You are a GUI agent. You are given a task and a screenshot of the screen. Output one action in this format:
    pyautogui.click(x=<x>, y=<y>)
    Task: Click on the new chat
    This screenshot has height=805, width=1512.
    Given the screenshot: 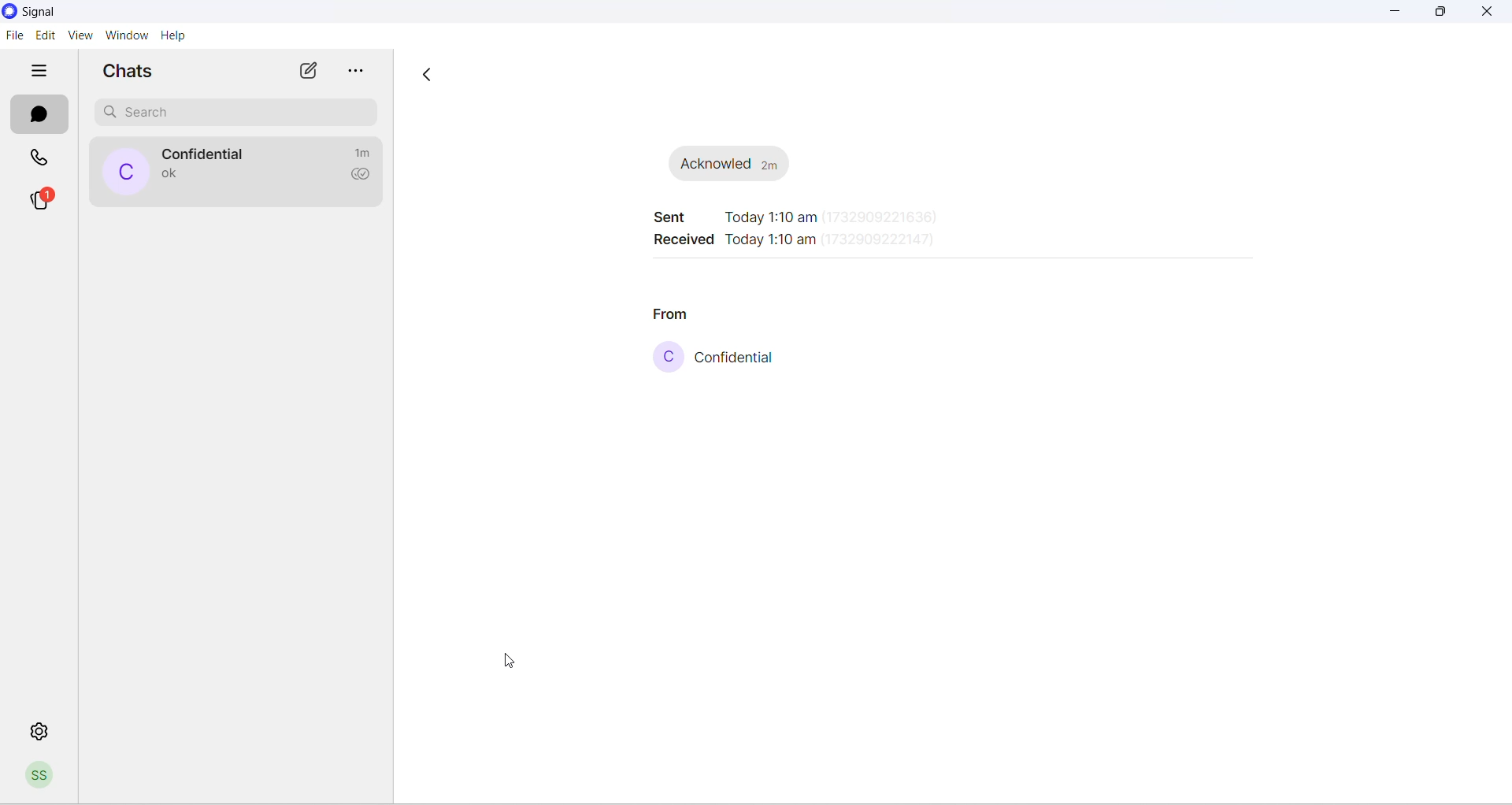 What is the action you would take?
    pyautogui.click(x=308, y=72)
    